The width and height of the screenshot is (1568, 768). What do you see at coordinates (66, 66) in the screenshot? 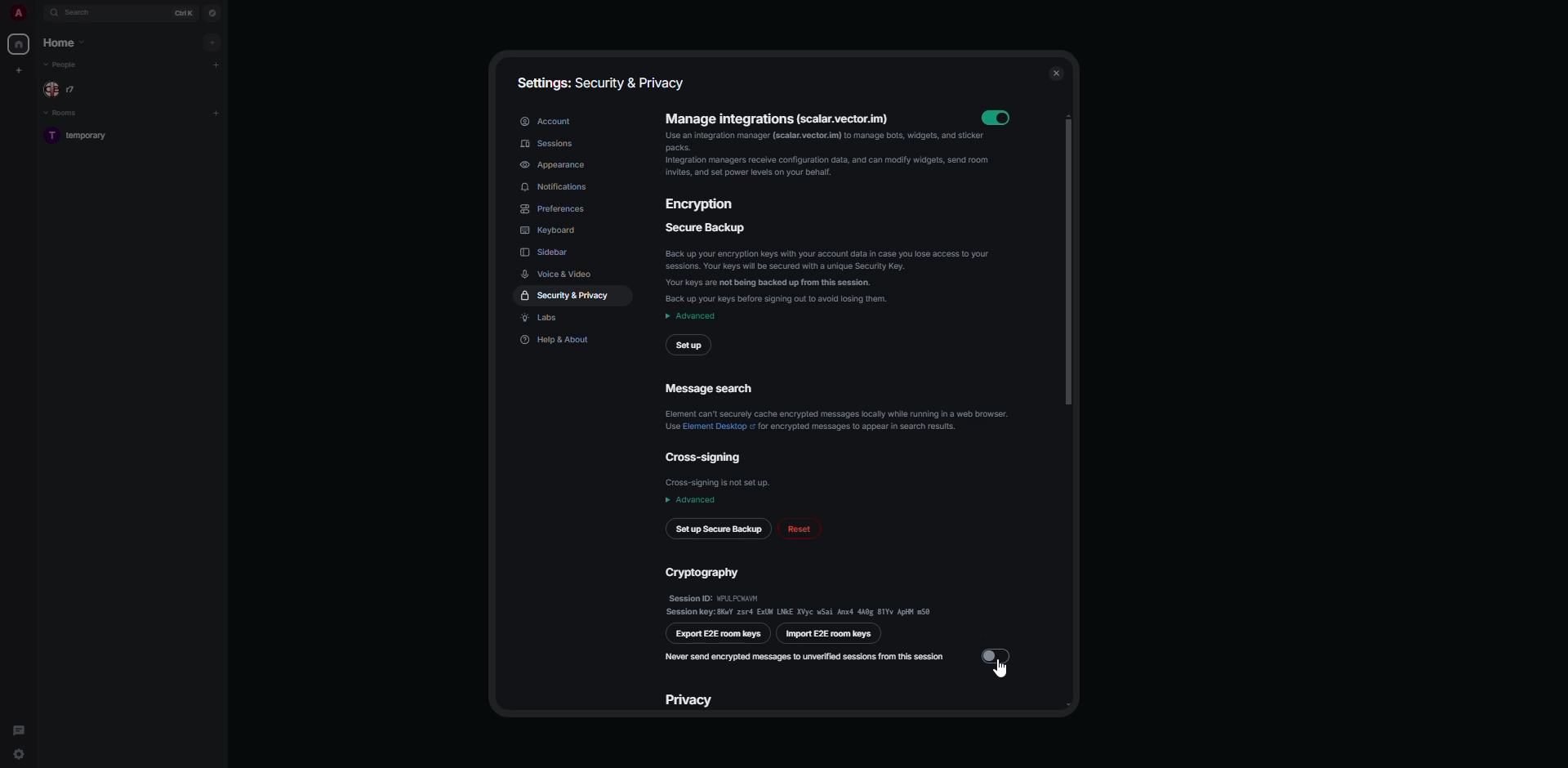
I see `people` at bounding box center [66, 66].